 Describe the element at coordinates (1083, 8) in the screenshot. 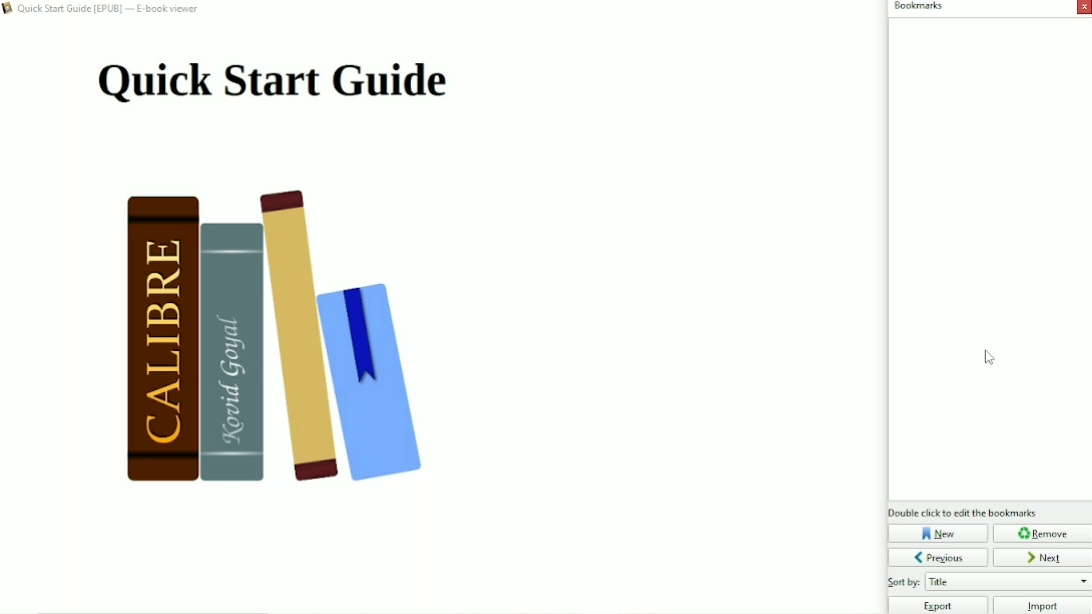

I see `Close` at that location.